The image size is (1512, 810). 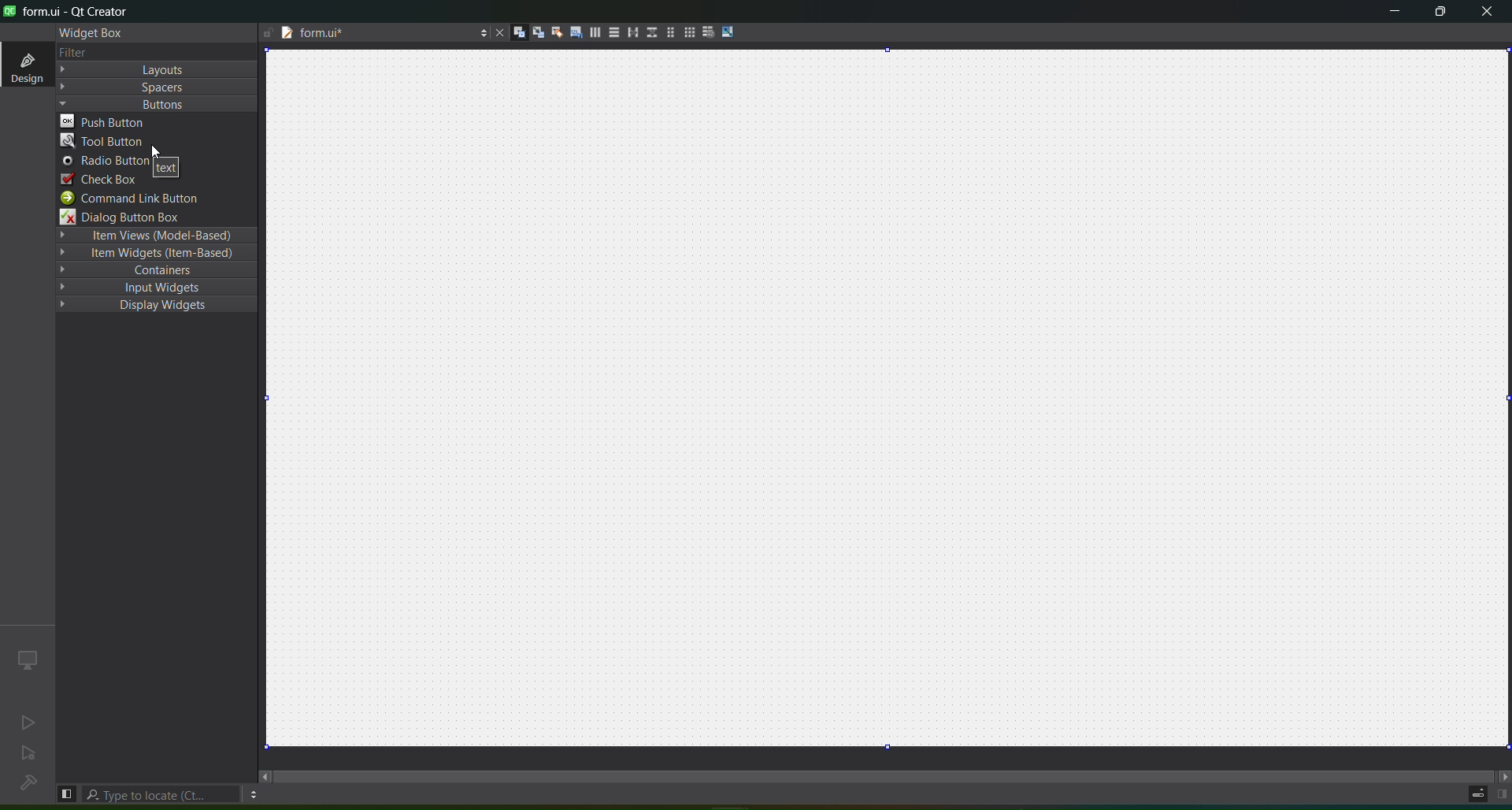 I want to click on type to locate, so click(x=162, y=794).